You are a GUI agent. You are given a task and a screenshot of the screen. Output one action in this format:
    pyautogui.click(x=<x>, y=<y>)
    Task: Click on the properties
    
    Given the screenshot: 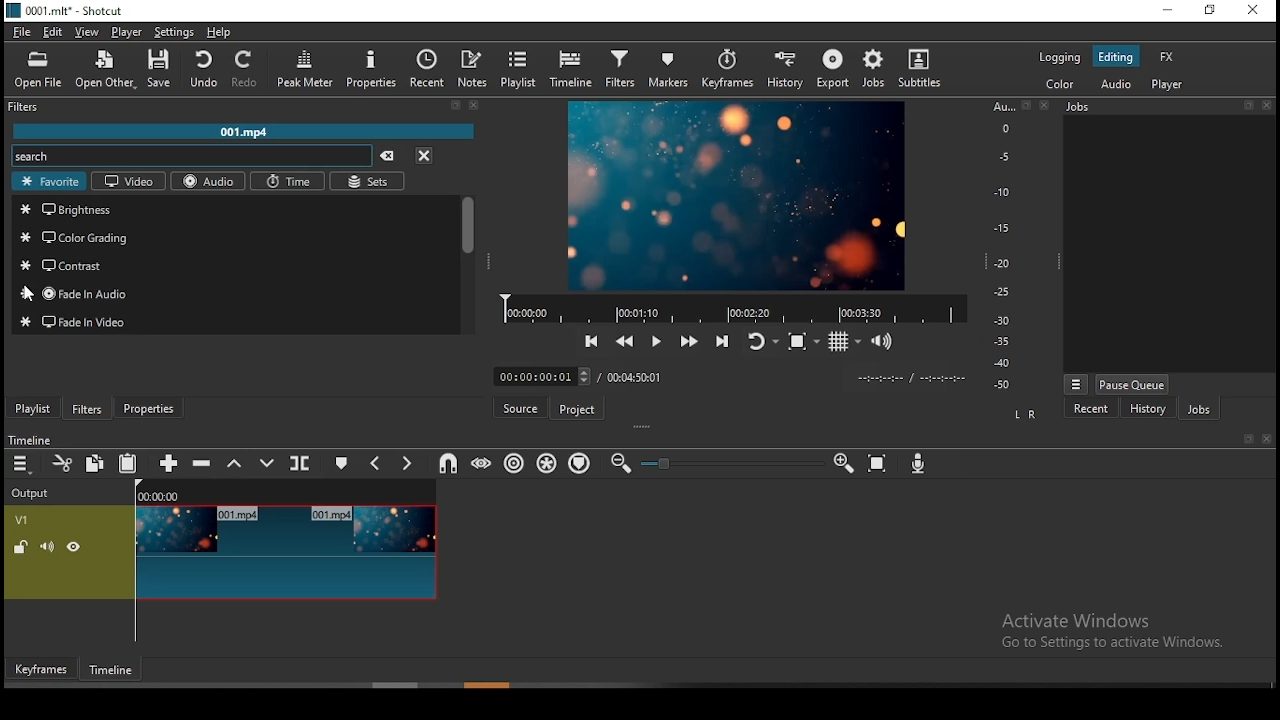 What is the action you would take?
    pyautogui.click(x=372, y=70)
    